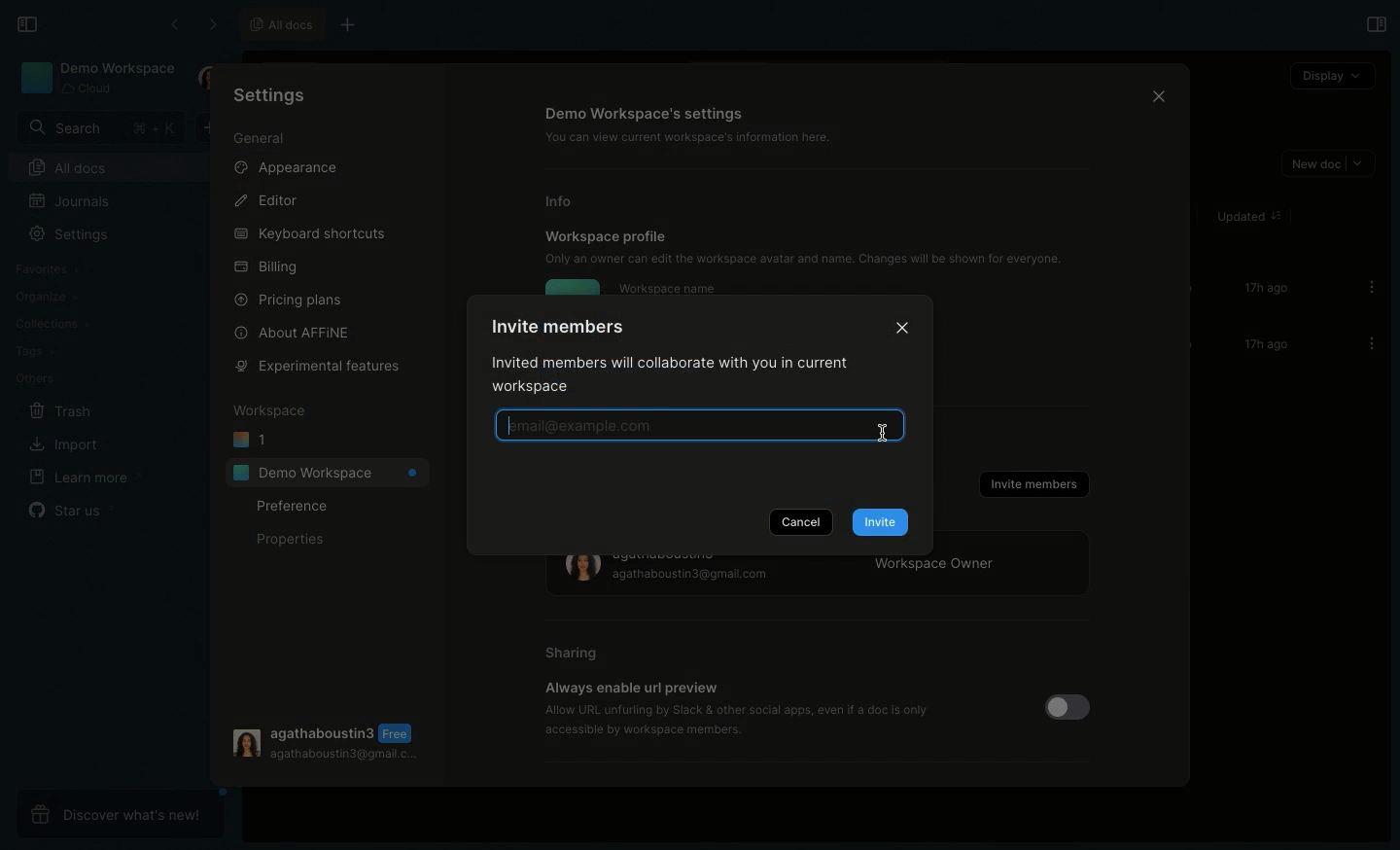 The image size is (1400, 850). Describe the element at coordinates (208, 79) in the screenshot. I see `User` at that location.